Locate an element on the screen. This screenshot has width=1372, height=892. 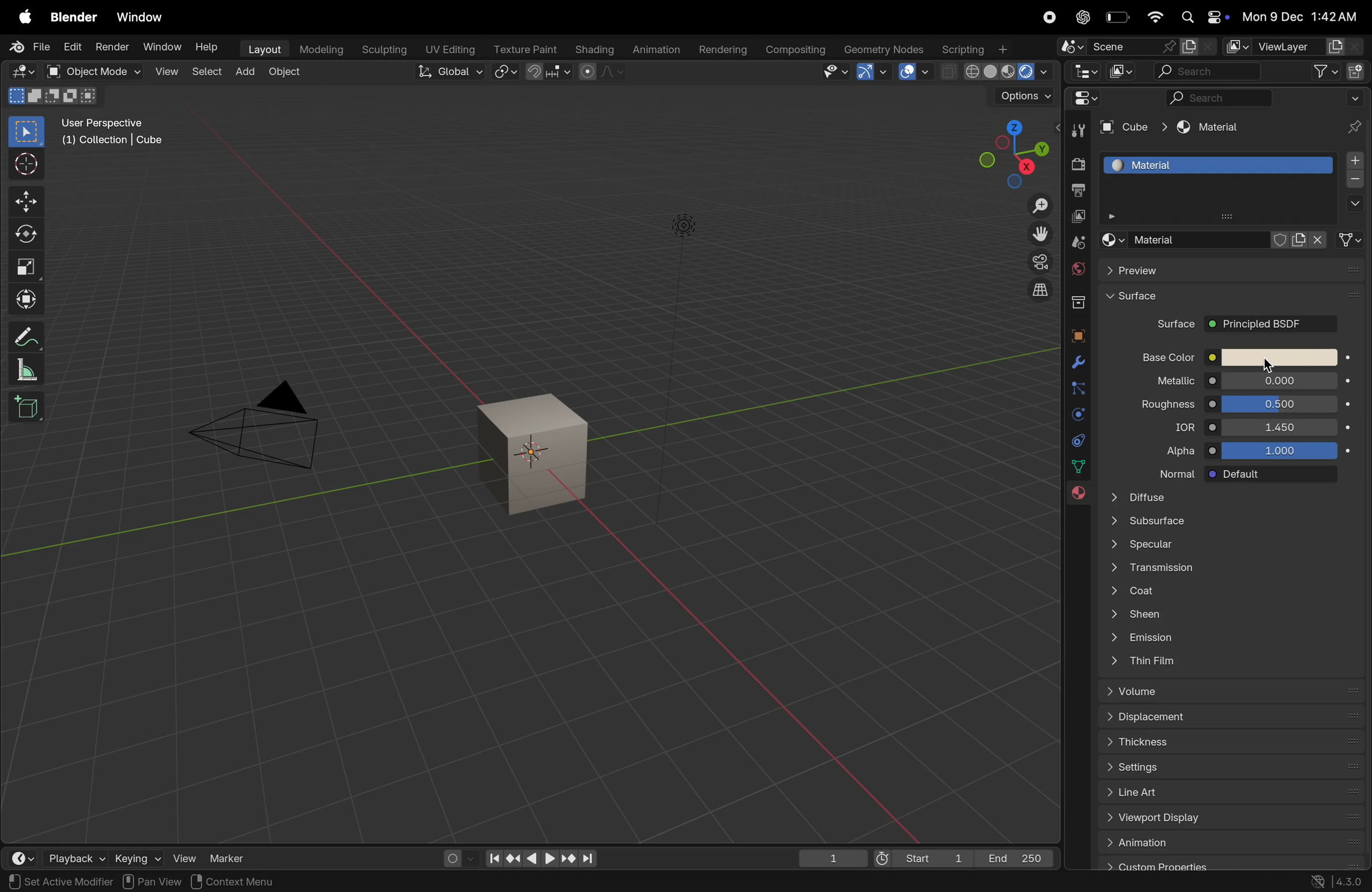
sculpting is located at coordinates (383, 50).